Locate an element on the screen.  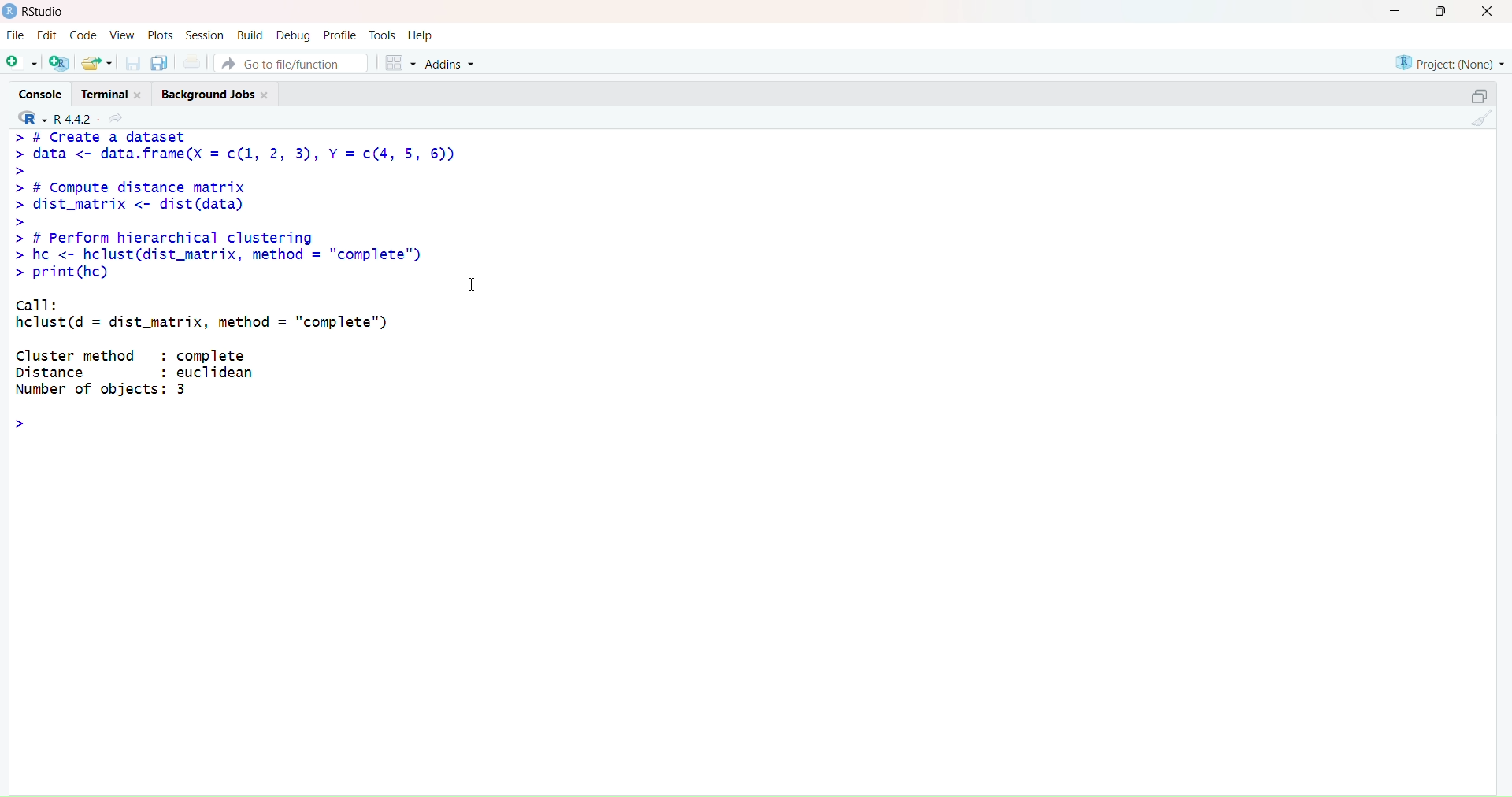
Maximize is located at coordinates (1475, 96).